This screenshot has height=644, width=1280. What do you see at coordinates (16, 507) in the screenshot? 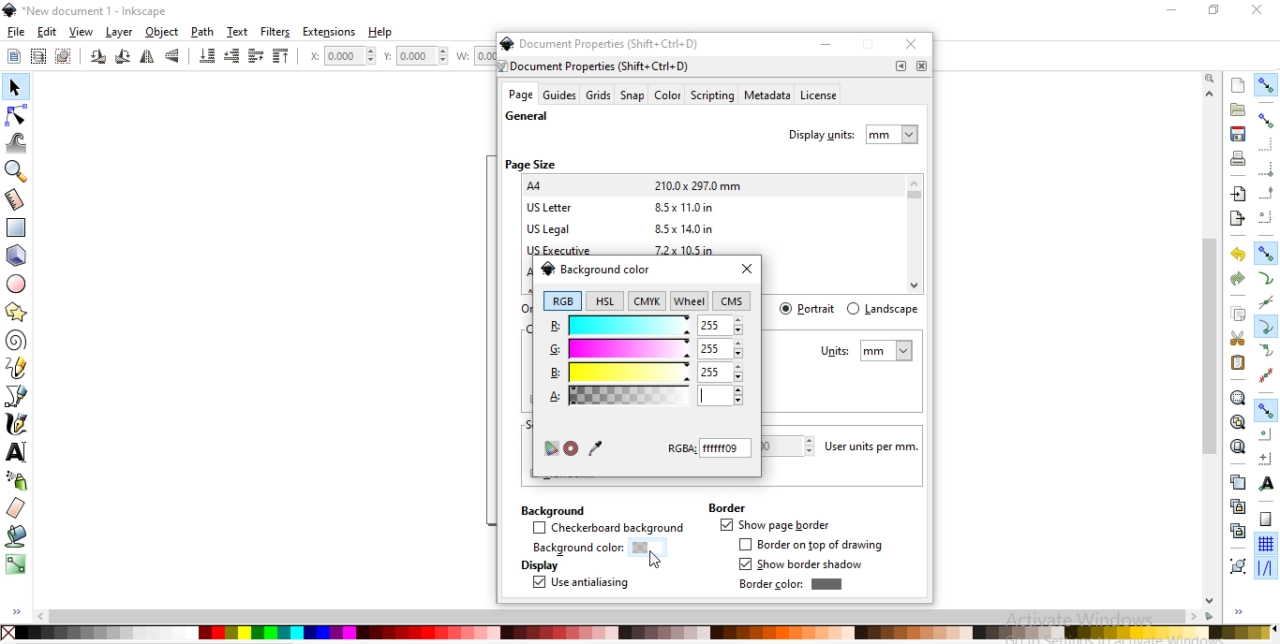
I see `erase existing paths` at bounding box center [16, 507].